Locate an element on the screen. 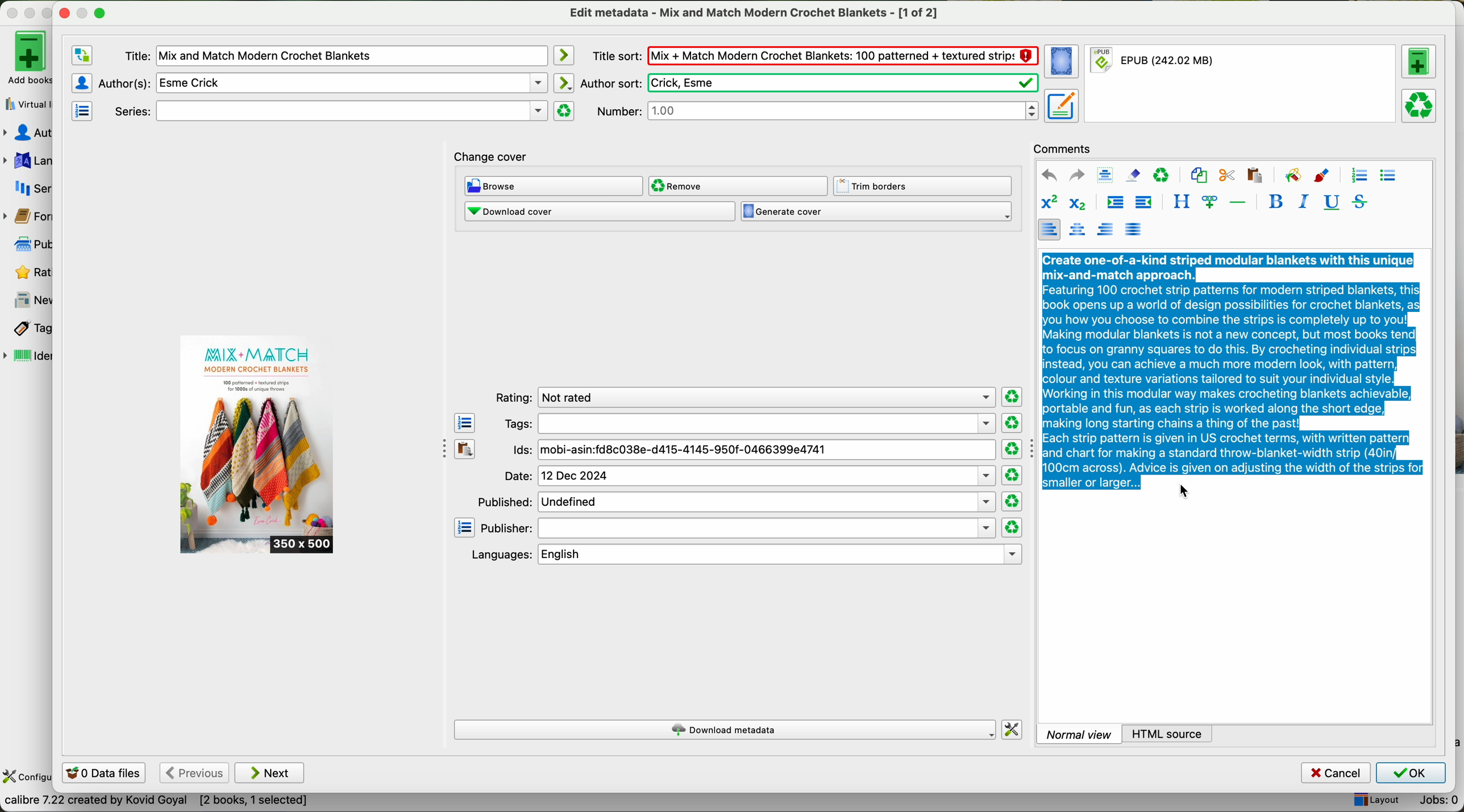  OK is located at coordinates (1410, 773).